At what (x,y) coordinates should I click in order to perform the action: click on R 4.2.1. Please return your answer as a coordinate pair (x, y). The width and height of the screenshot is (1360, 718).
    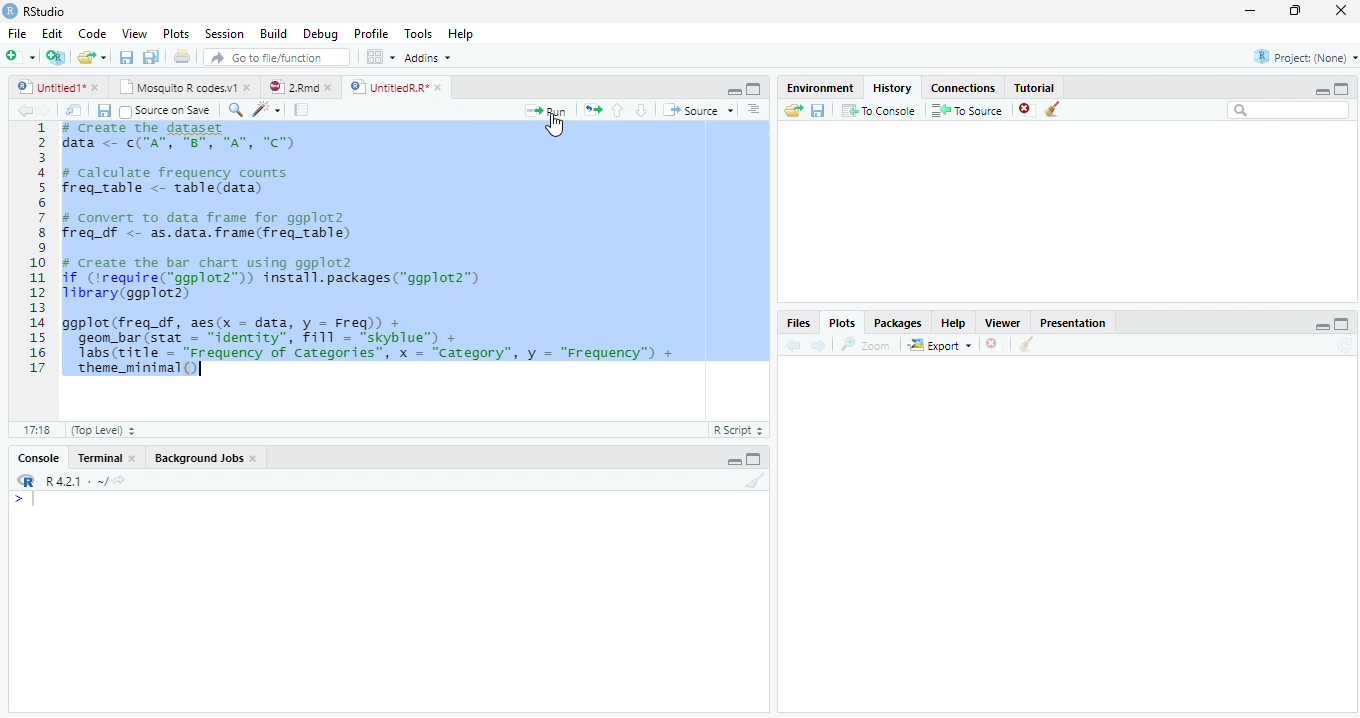
    Looking at the image, I should click on (70, 482).